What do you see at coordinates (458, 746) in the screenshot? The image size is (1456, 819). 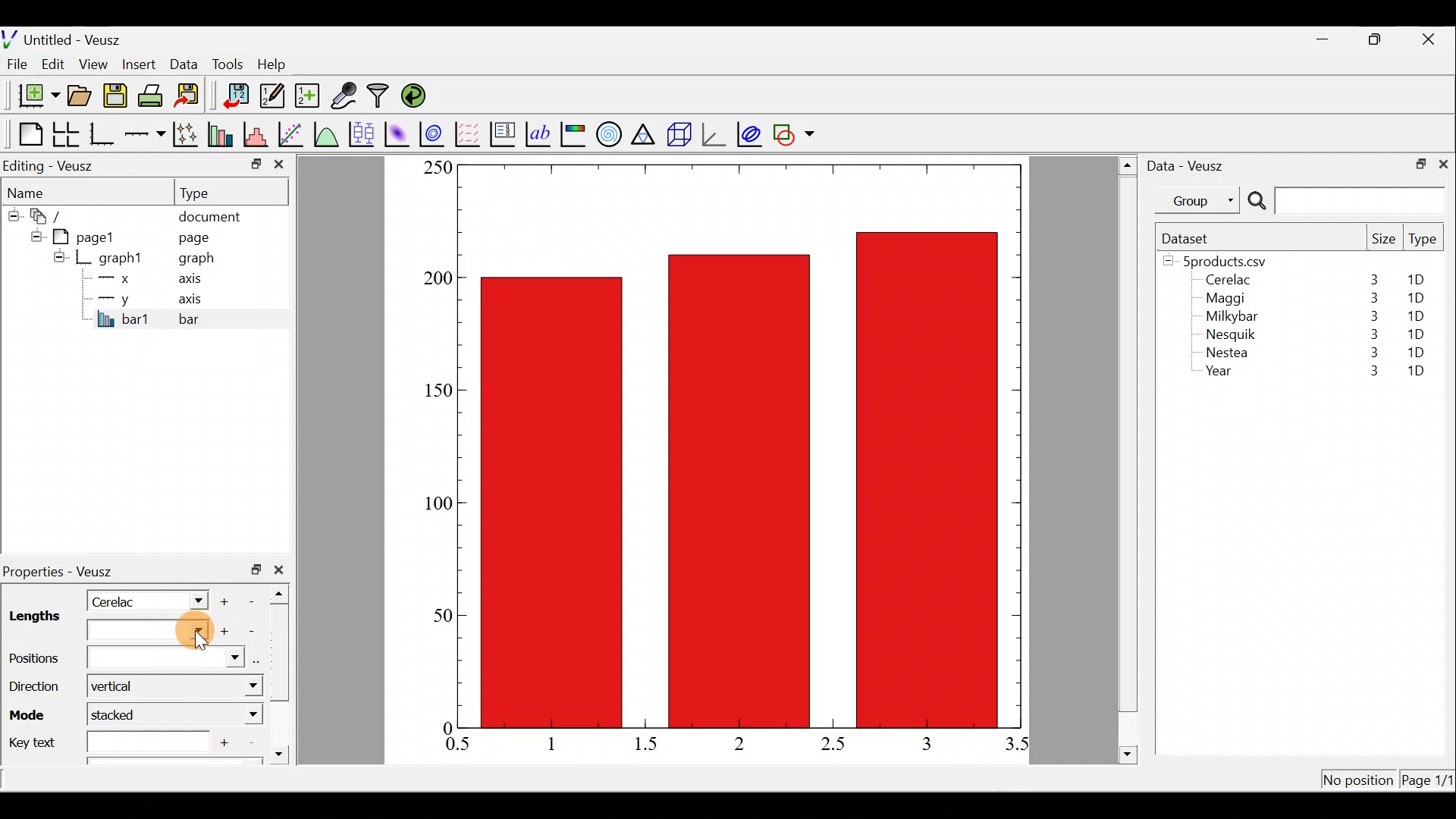 I see `0.5` at bounding box center [458, 746].